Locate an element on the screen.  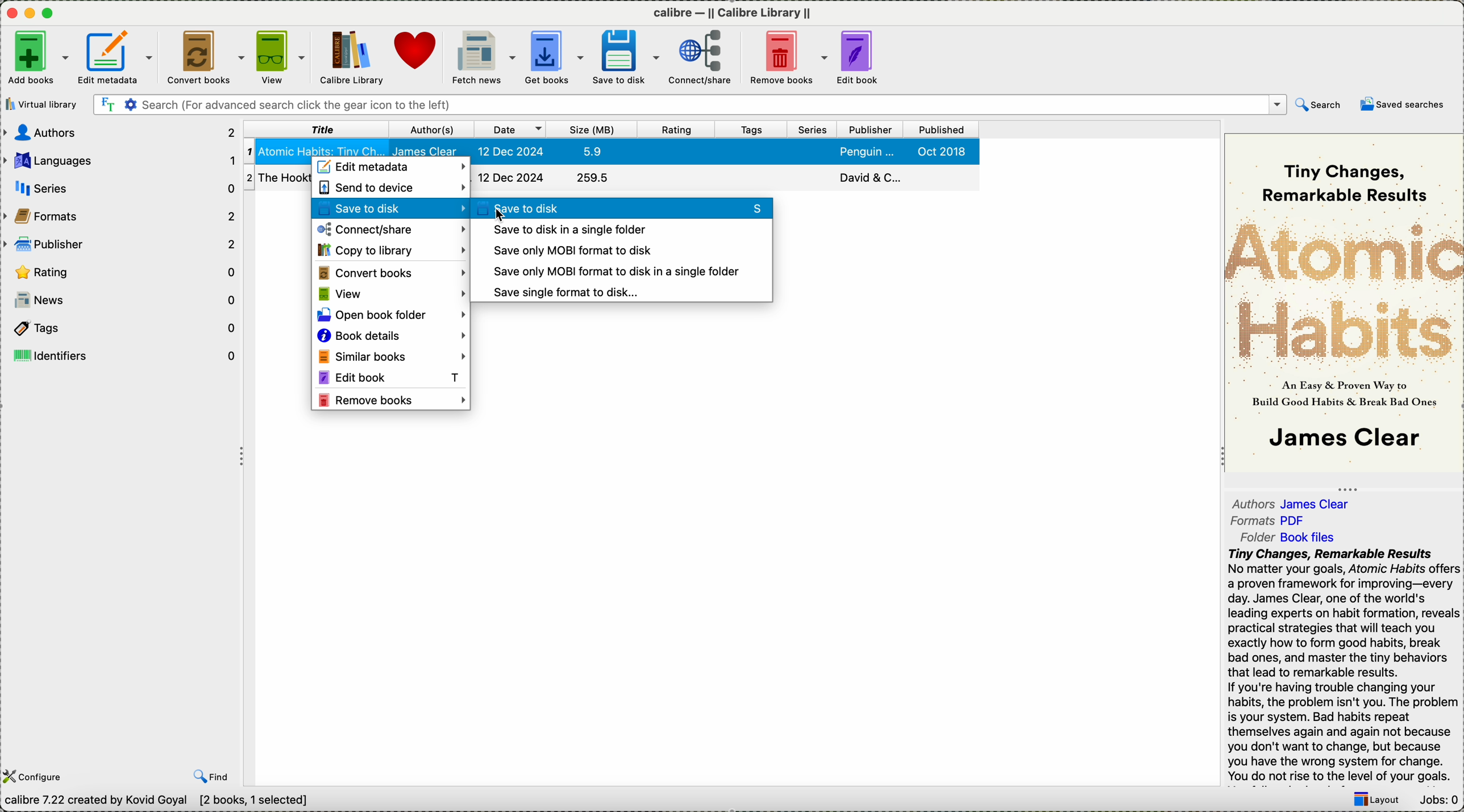
size is located at coordinates (591, 129).